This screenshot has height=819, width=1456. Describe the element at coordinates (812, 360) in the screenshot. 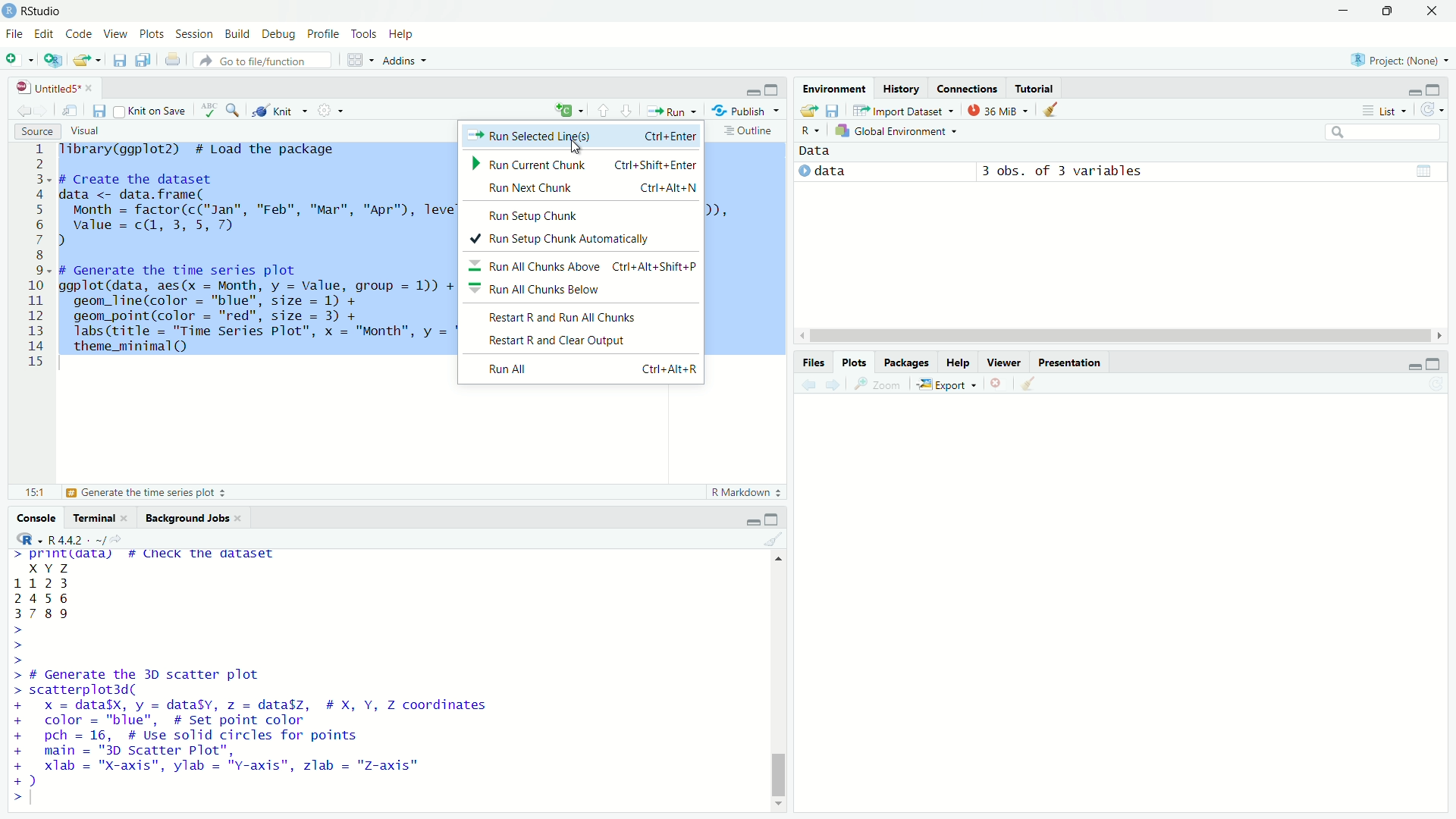

I see `files` at that location.